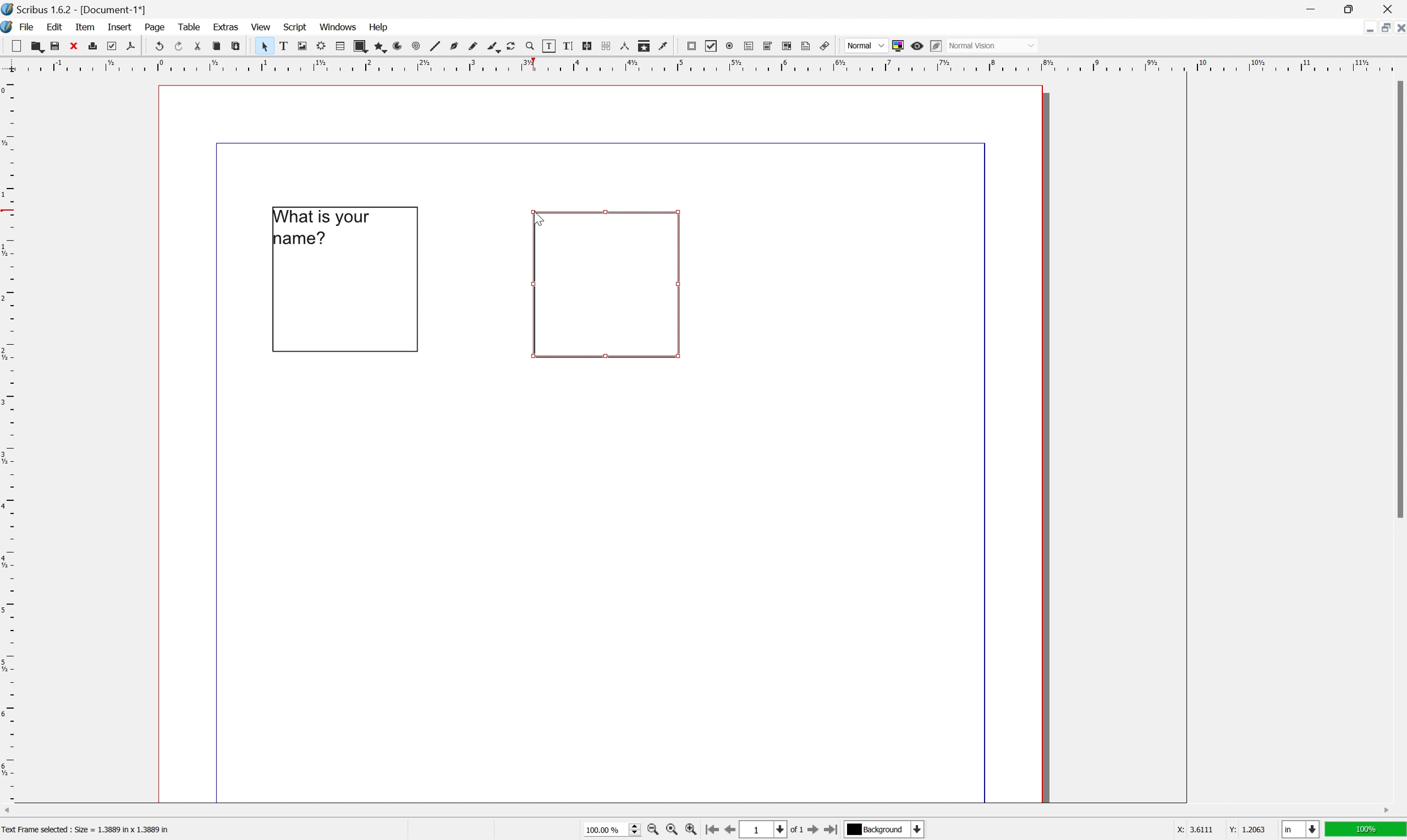 The width and height of the screenshot is (1407, 840). What do you see at coordinates (1380, 28) in the screenshot?
I see `restore down` at bounding box center [1380, 28].